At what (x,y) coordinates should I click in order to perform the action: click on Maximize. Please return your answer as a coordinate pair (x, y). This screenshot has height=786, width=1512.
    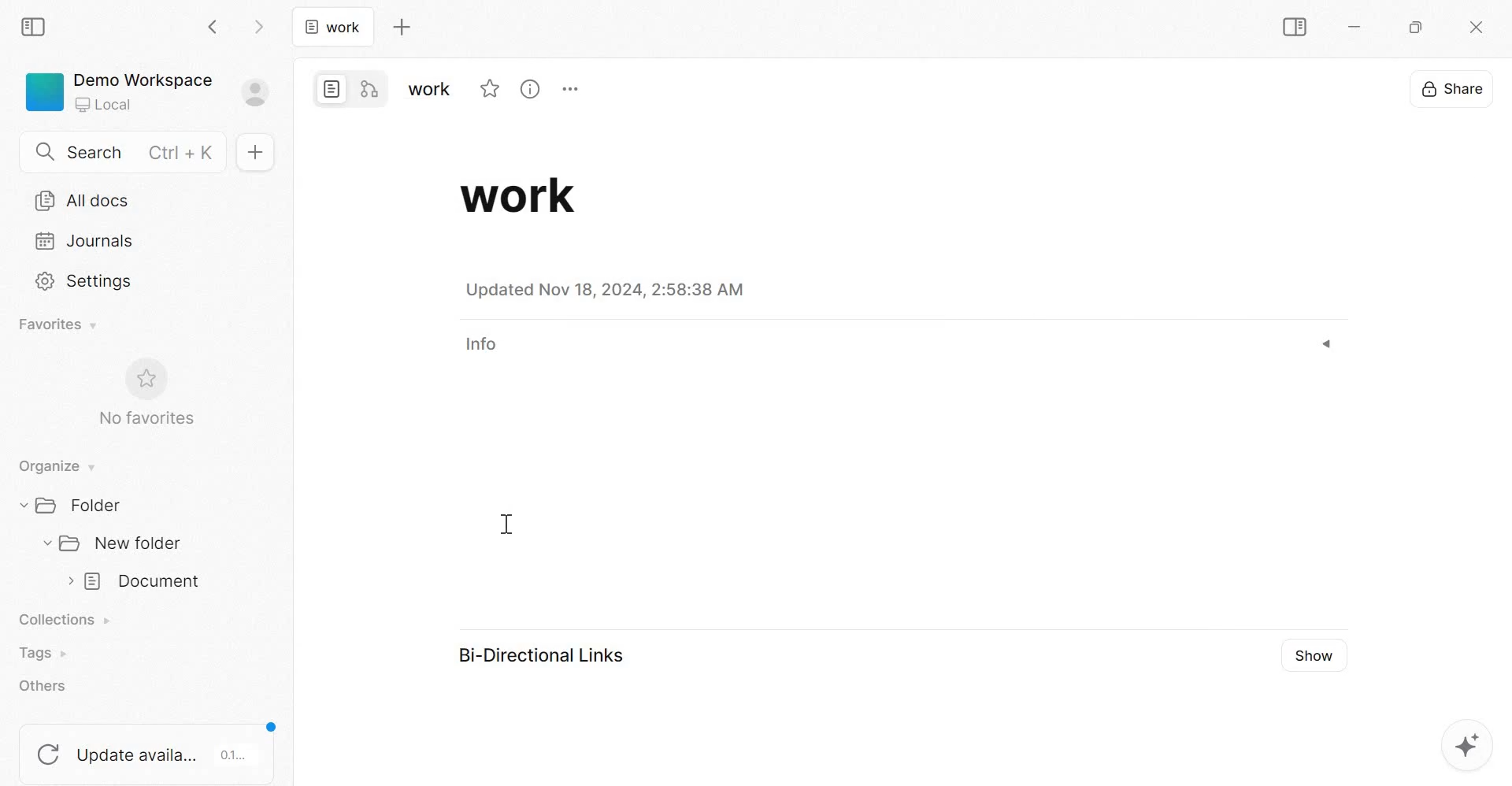
    Looking at the image, I should click on (1420, 30).